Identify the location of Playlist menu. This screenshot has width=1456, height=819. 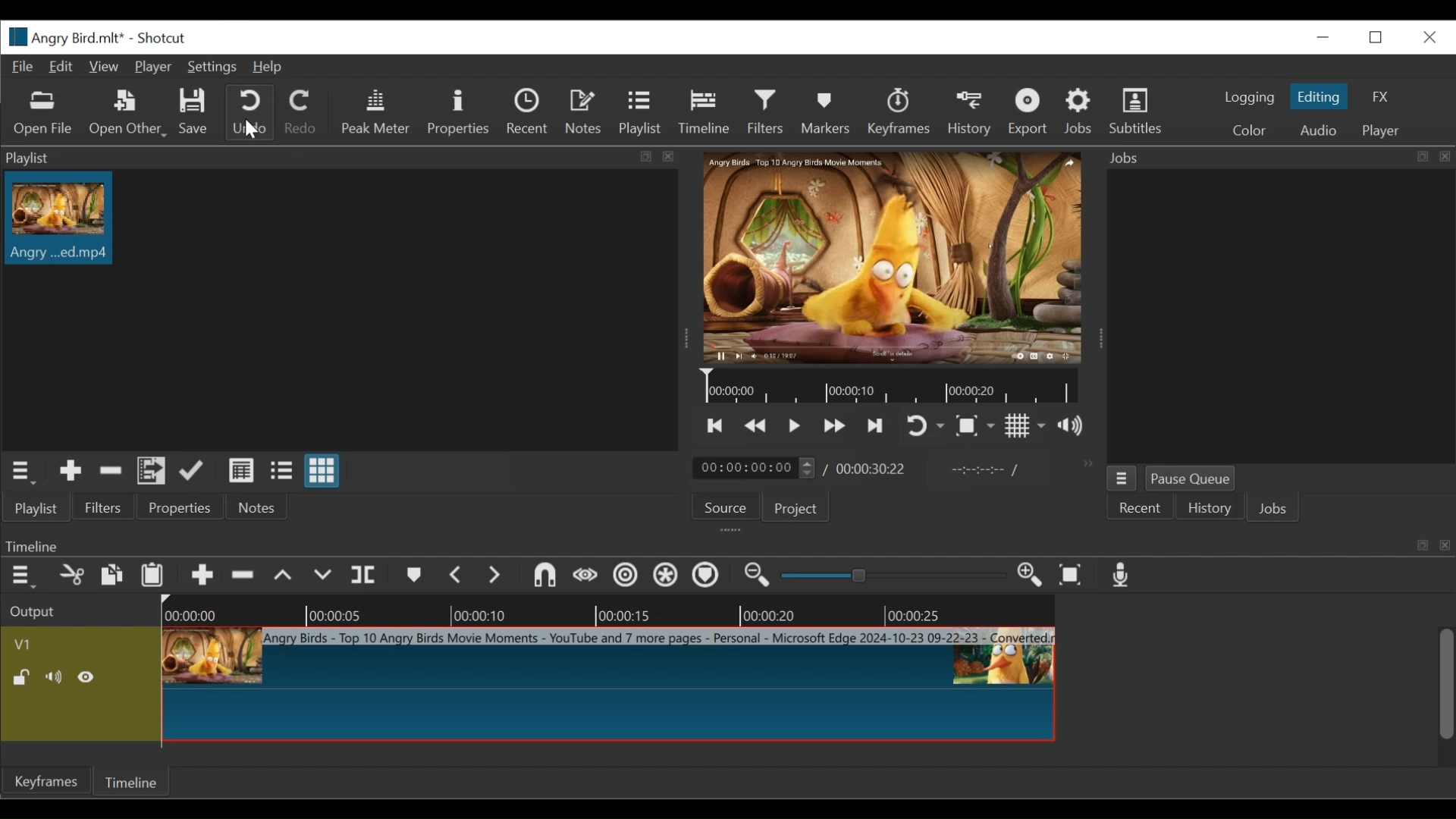
(20, 472).